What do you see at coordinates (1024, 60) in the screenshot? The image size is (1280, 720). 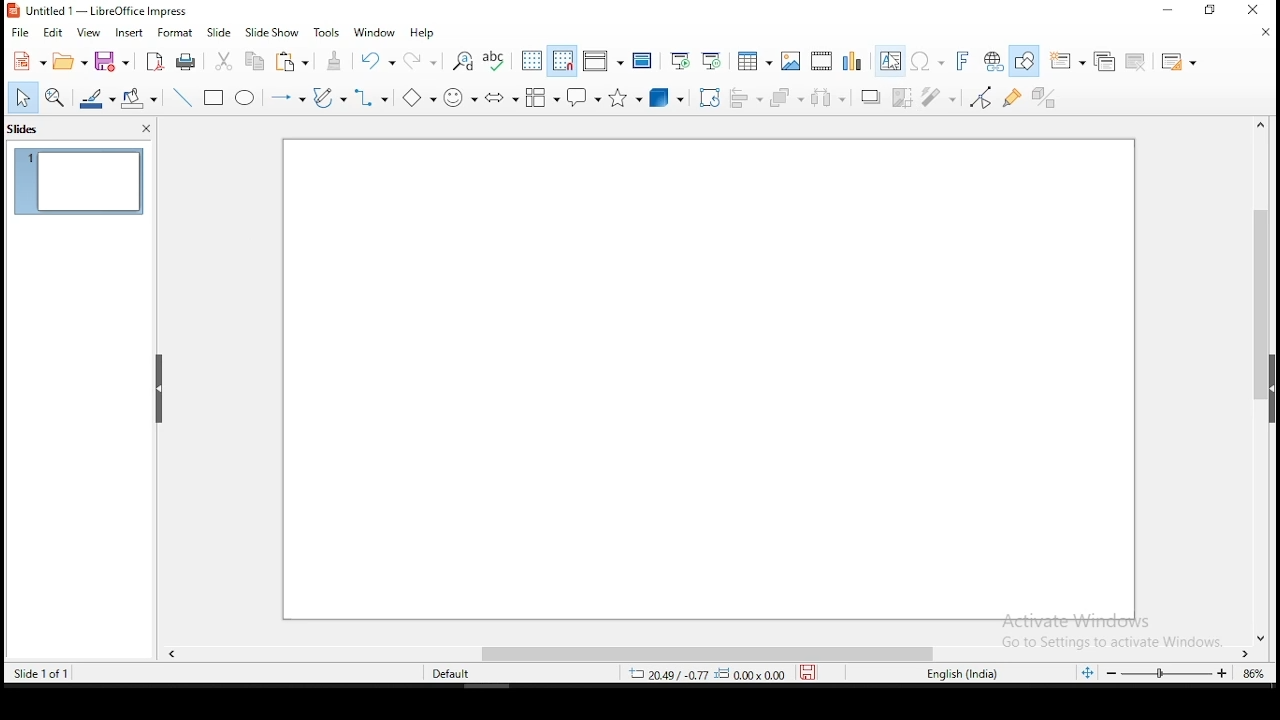 I see `show draw functions` at bounding box center [1024, 60].